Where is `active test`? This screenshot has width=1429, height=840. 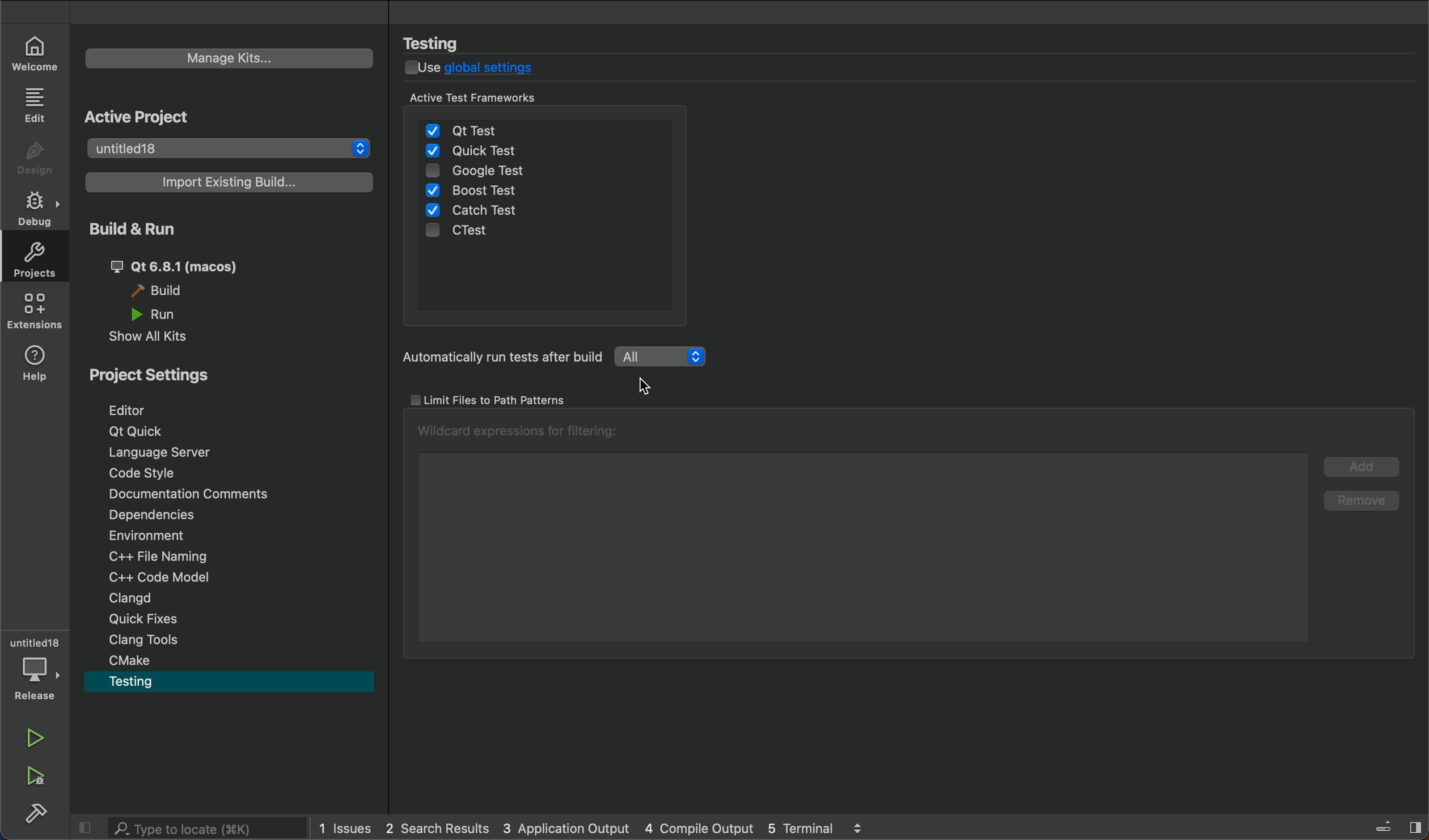
active test is located at coordinates (547, 100).